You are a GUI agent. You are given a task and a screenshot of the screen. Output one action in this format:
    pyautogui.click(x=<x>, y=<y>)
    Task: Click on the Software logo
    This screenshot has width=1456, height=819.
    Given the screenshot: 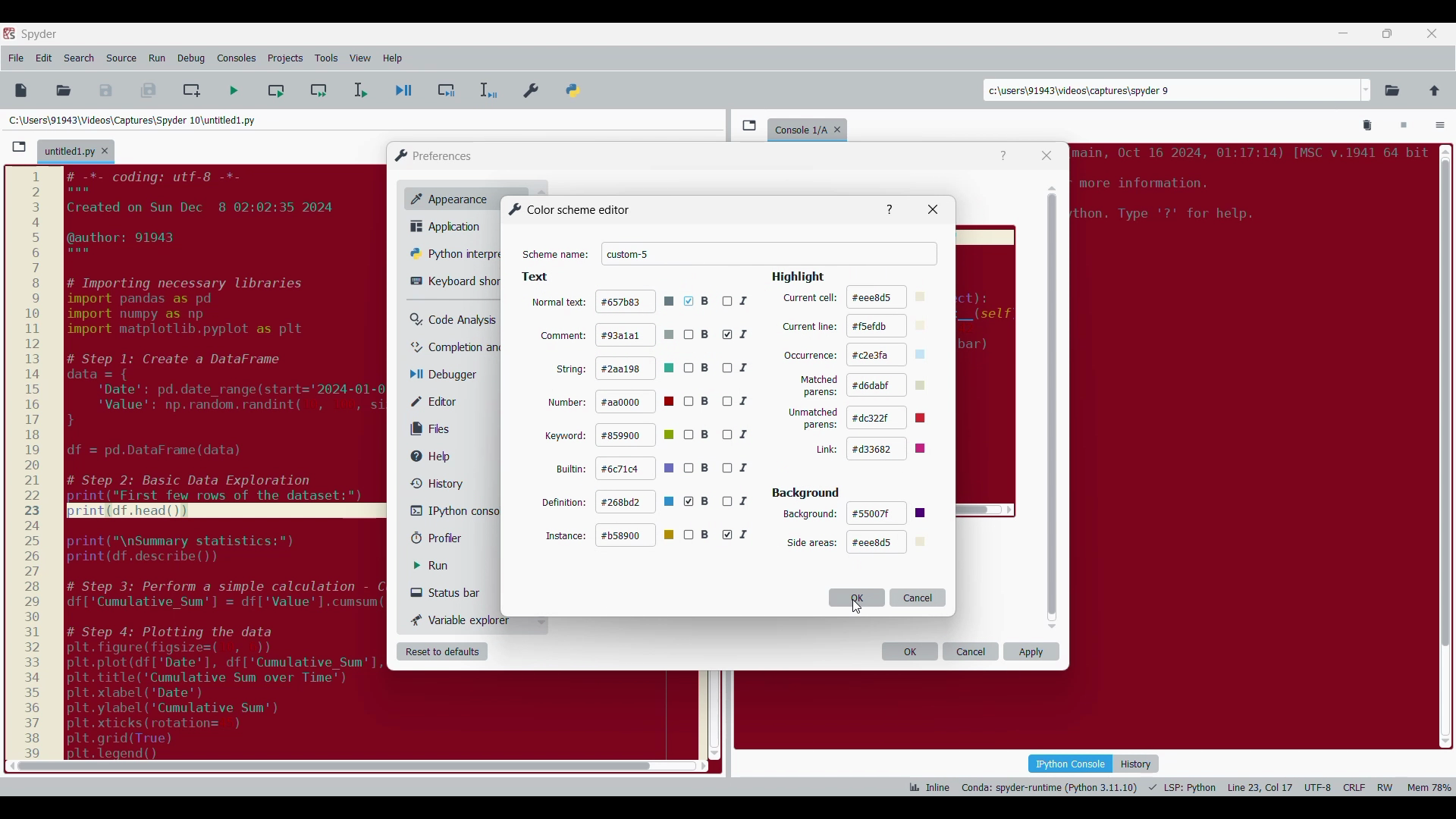 What is the action you would take?
    pyautogui.click(x=9, y=33)
    